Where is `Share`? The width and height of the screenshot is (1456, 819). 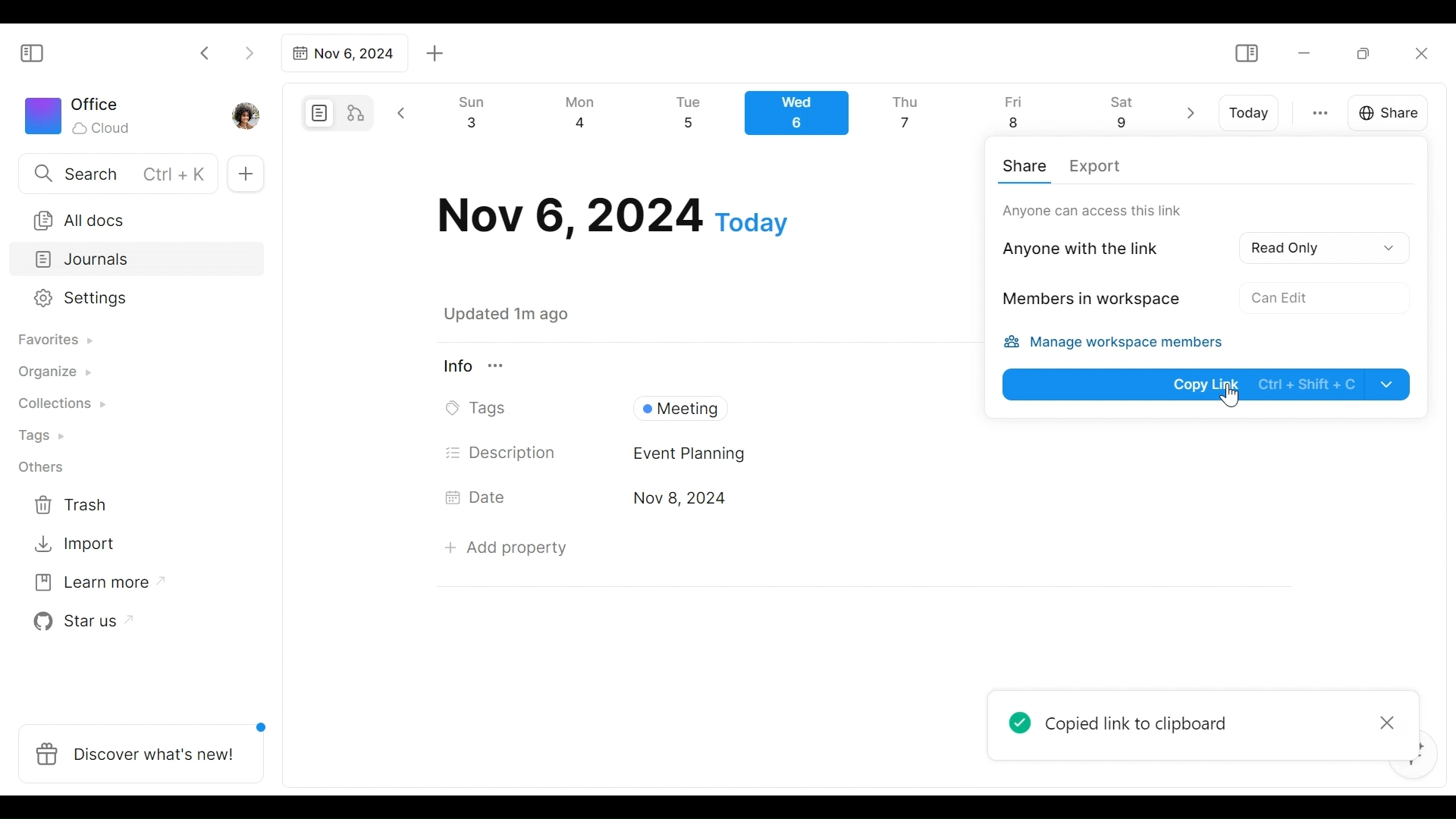 Share is located at coordinates (1028, 165).